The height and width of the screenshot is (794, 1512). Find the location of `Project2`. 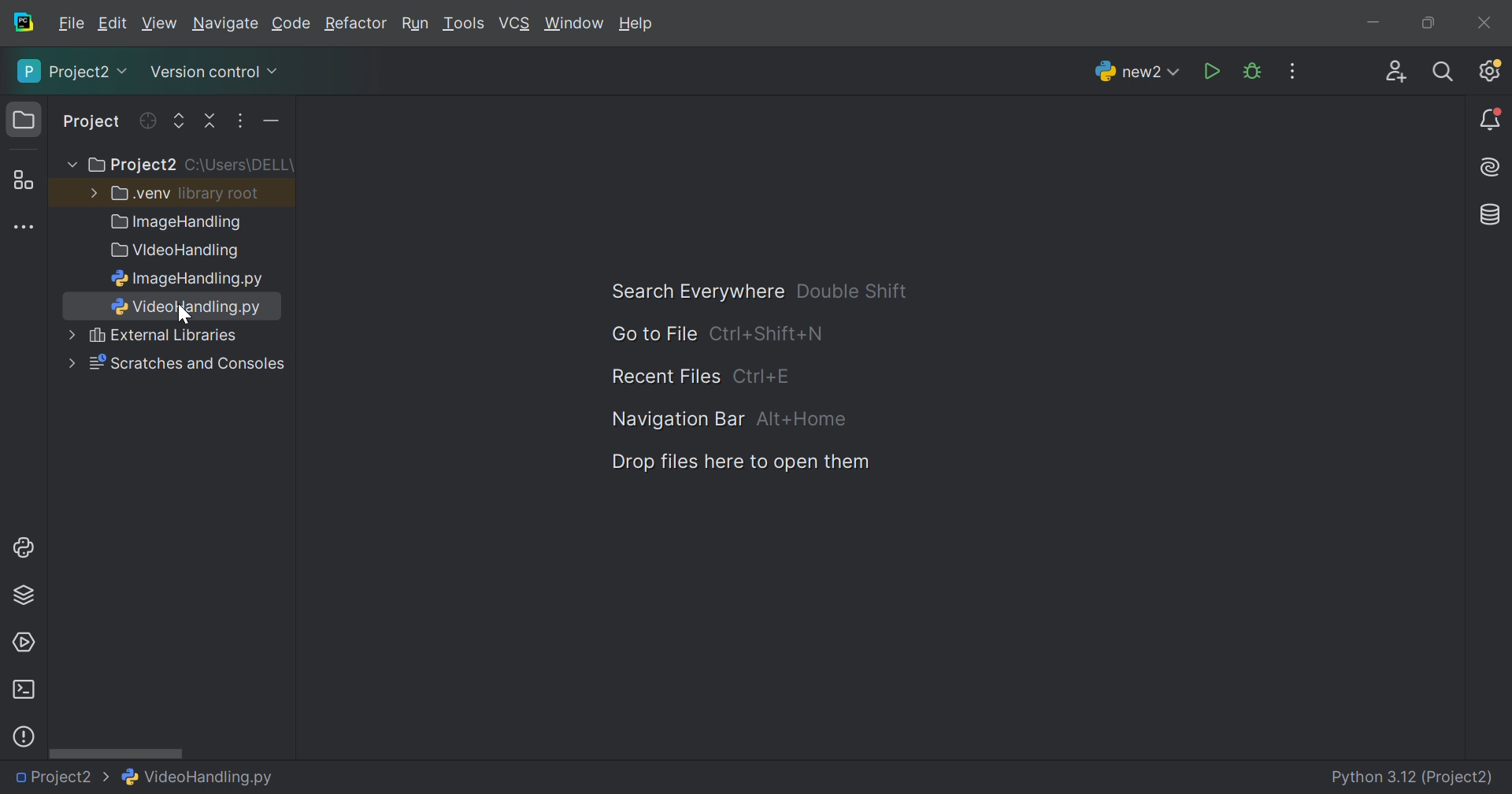

Project2 is located at coordinates (131, 165).